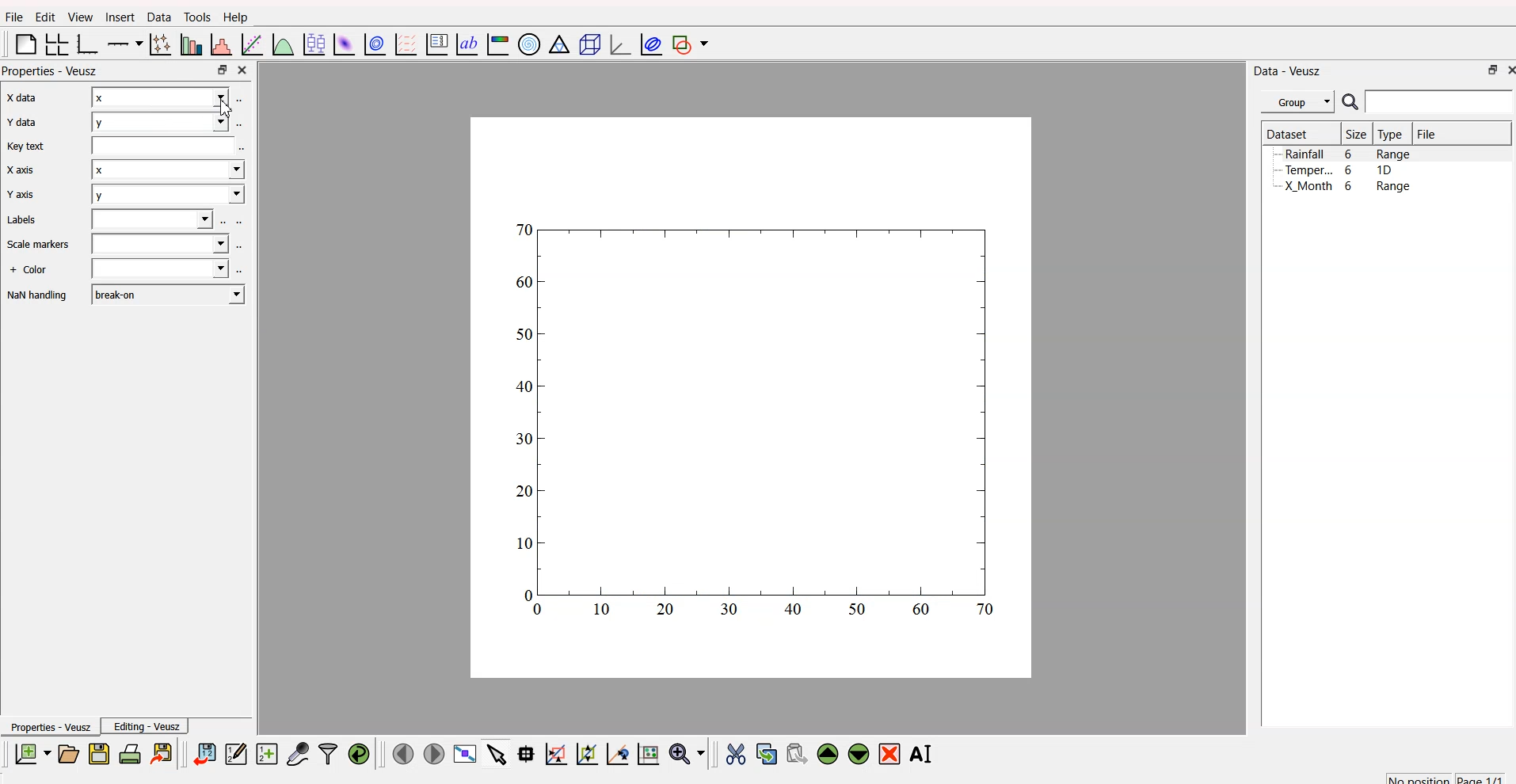  I want to click on rename the selected widget, so click(924, 753).